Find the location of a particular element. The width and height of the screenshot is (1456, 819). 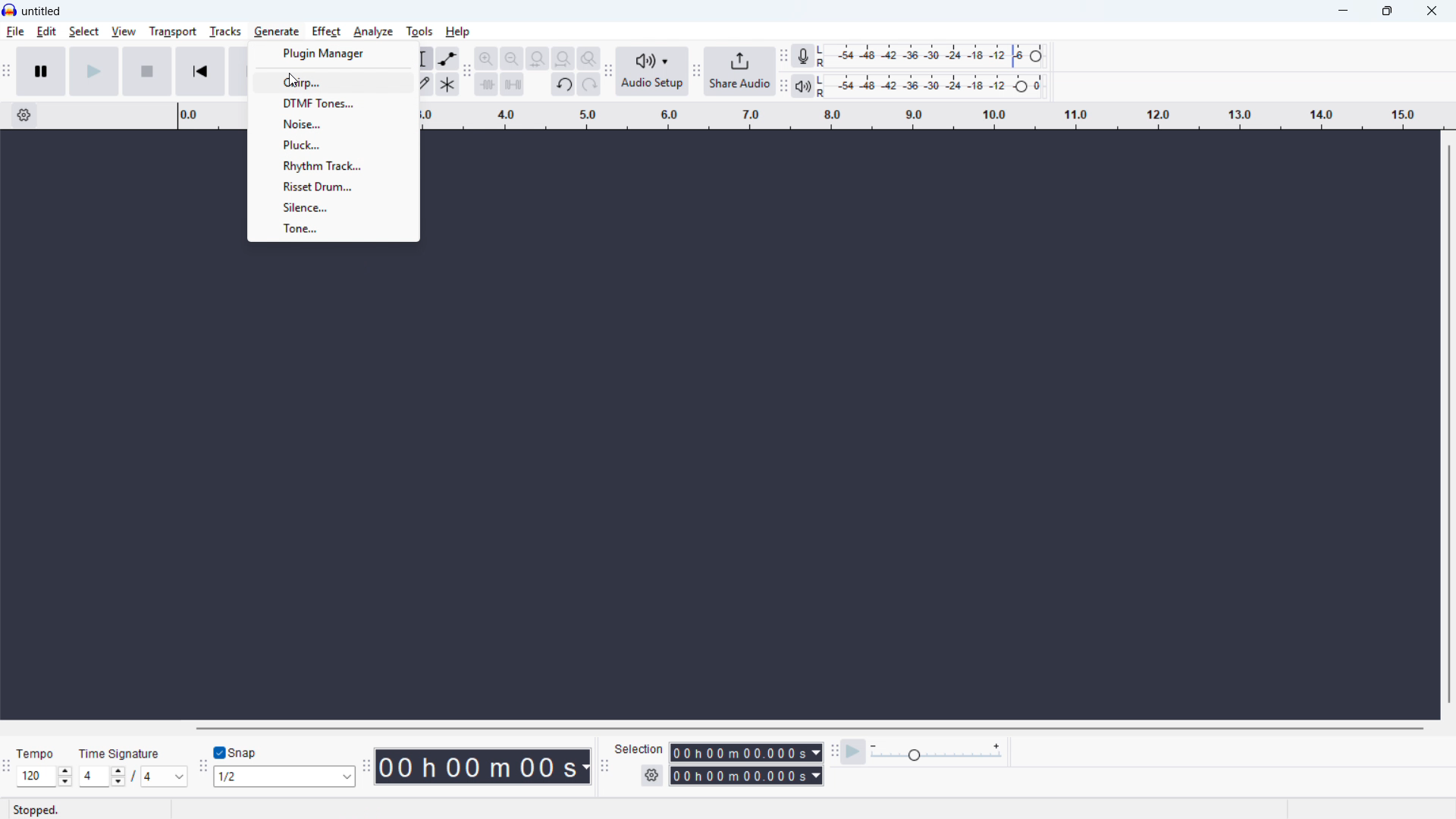

Redo  is located at coordinates (588, 85).